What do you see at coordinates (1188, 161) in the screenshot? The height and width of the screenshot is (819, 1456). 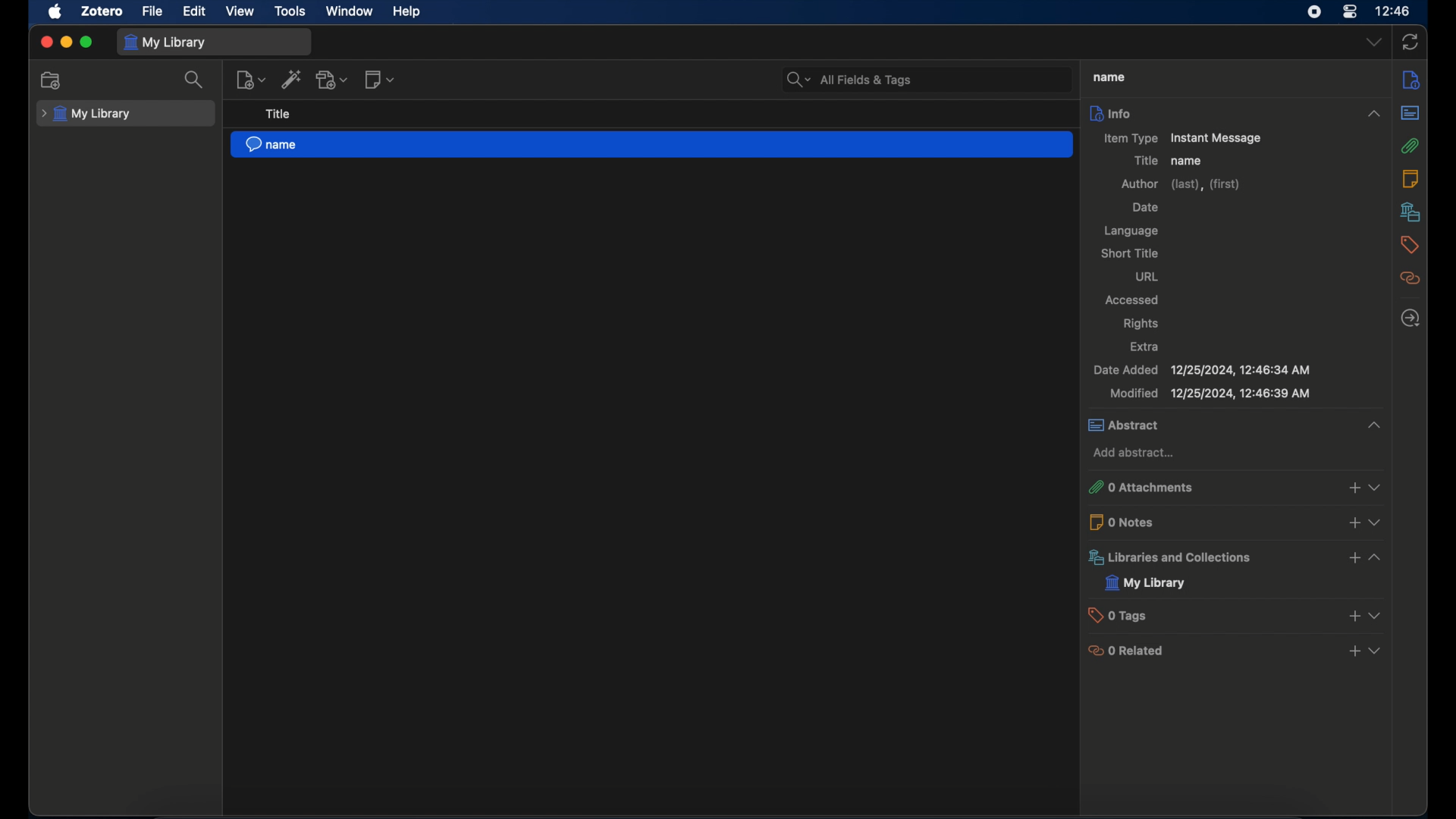 I see `name` at bounding box center [1188, 161].